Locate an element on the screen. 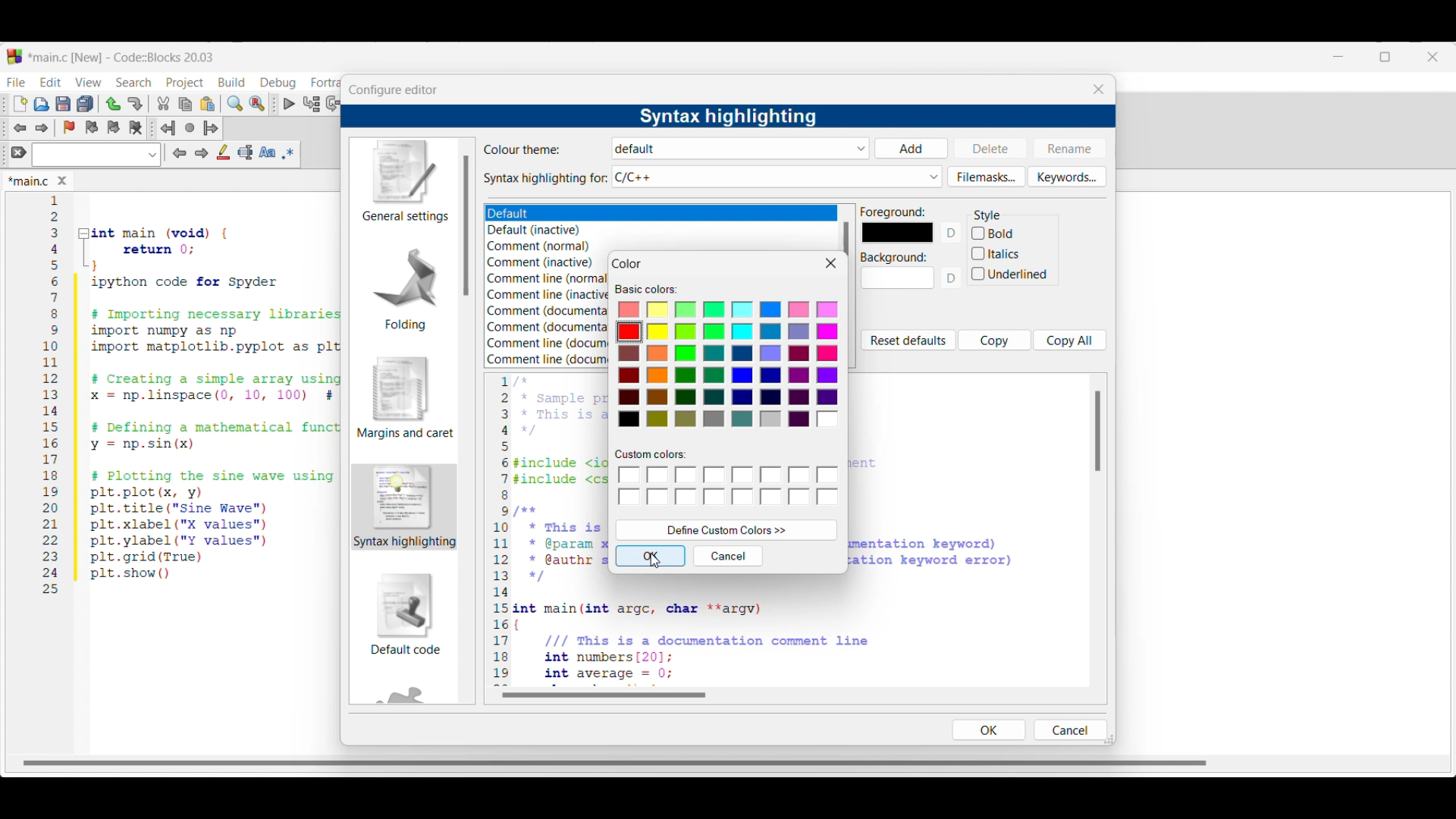 This screenshot has height=819, width=1456. Previous bookmark is located at coordinates (91, 127).